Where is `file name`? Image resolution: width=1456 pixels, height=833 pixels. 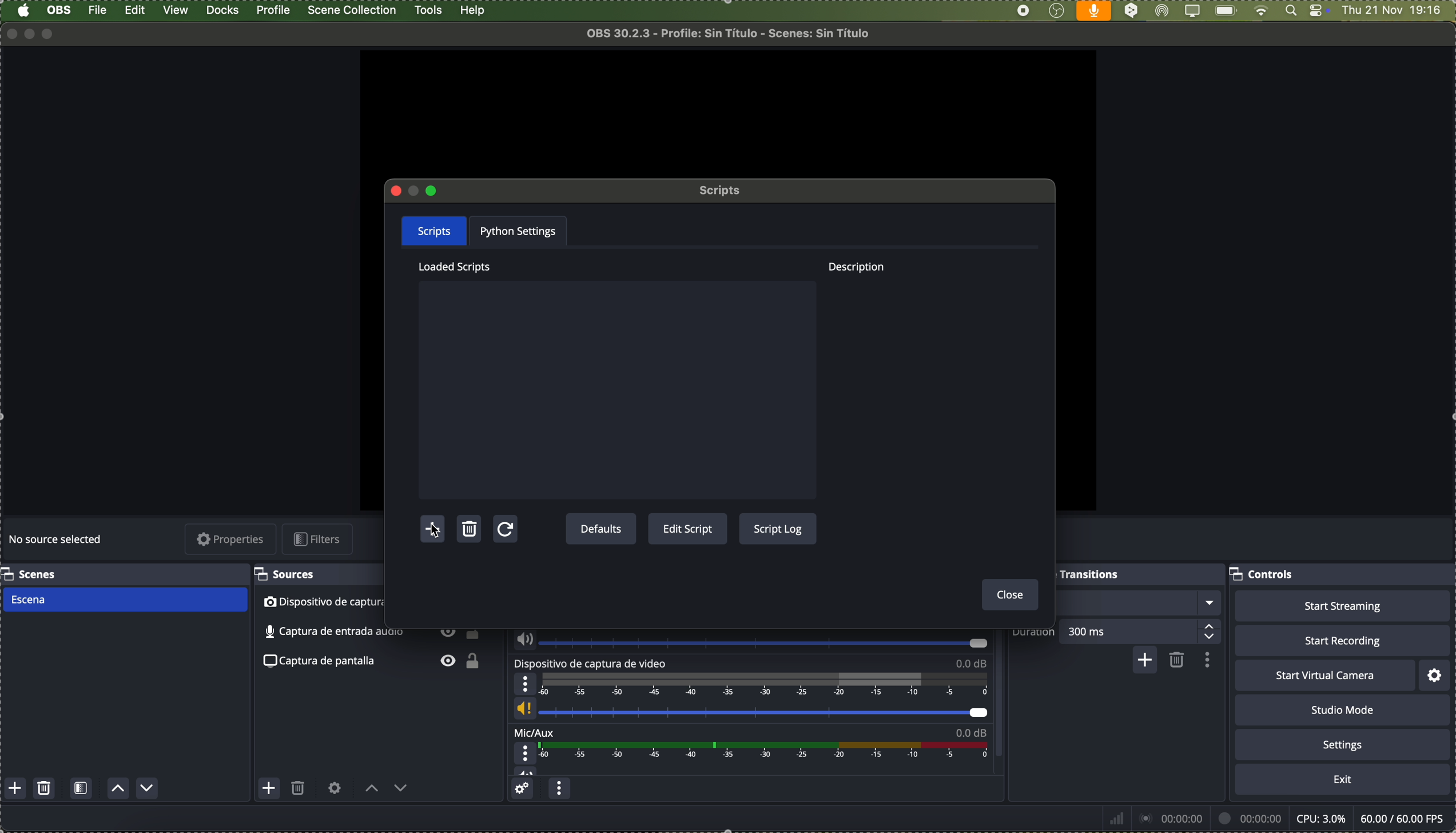 file name is located at coordinates (733, 33).